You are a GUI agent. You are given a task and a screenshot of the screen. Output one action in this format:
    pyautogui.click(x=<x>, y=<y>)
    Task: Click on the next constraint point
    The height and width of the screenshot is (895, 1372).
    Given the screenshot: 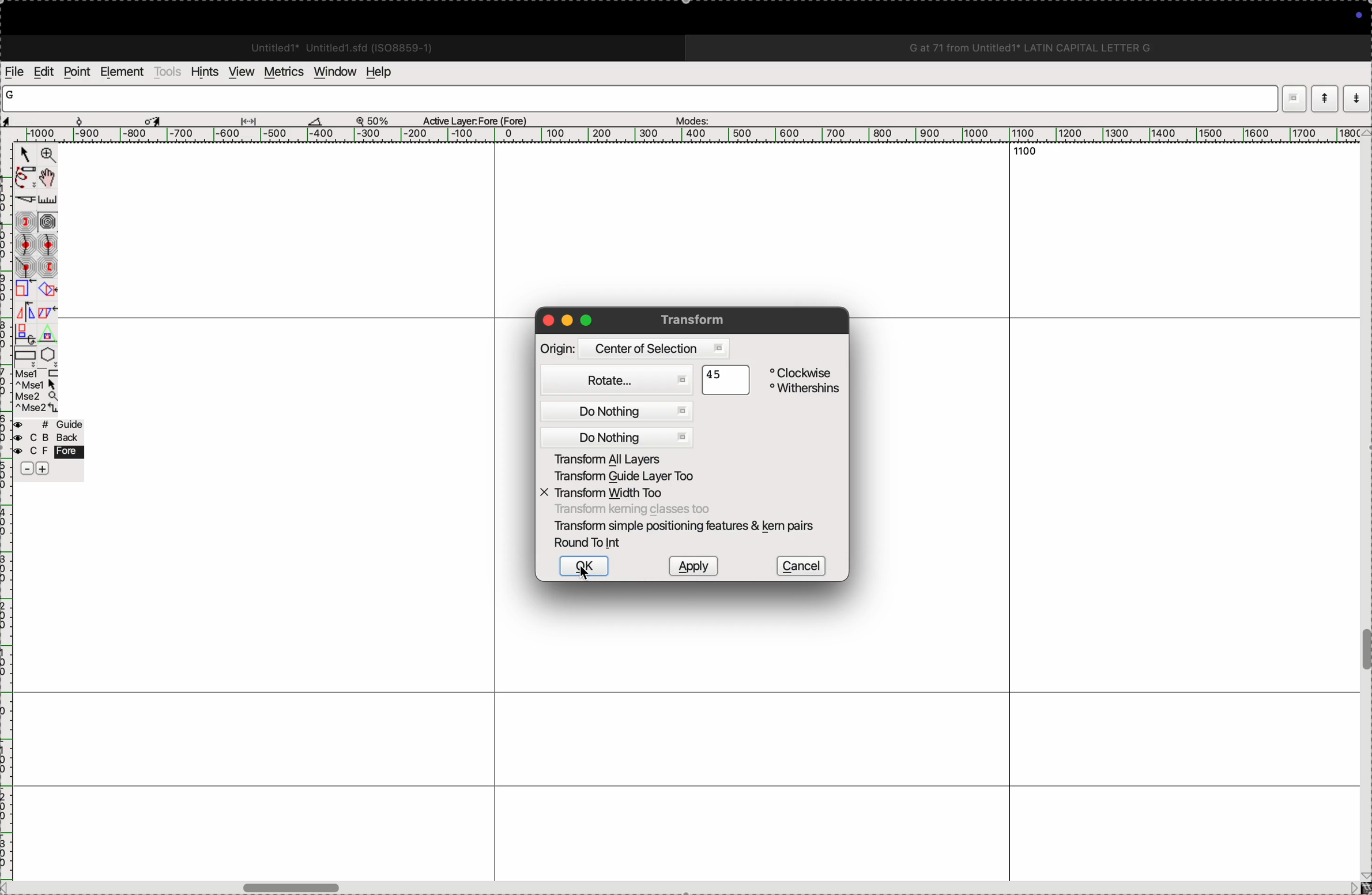 What is the action you would take?
    pyautogui.click(x=25, y=222)
    